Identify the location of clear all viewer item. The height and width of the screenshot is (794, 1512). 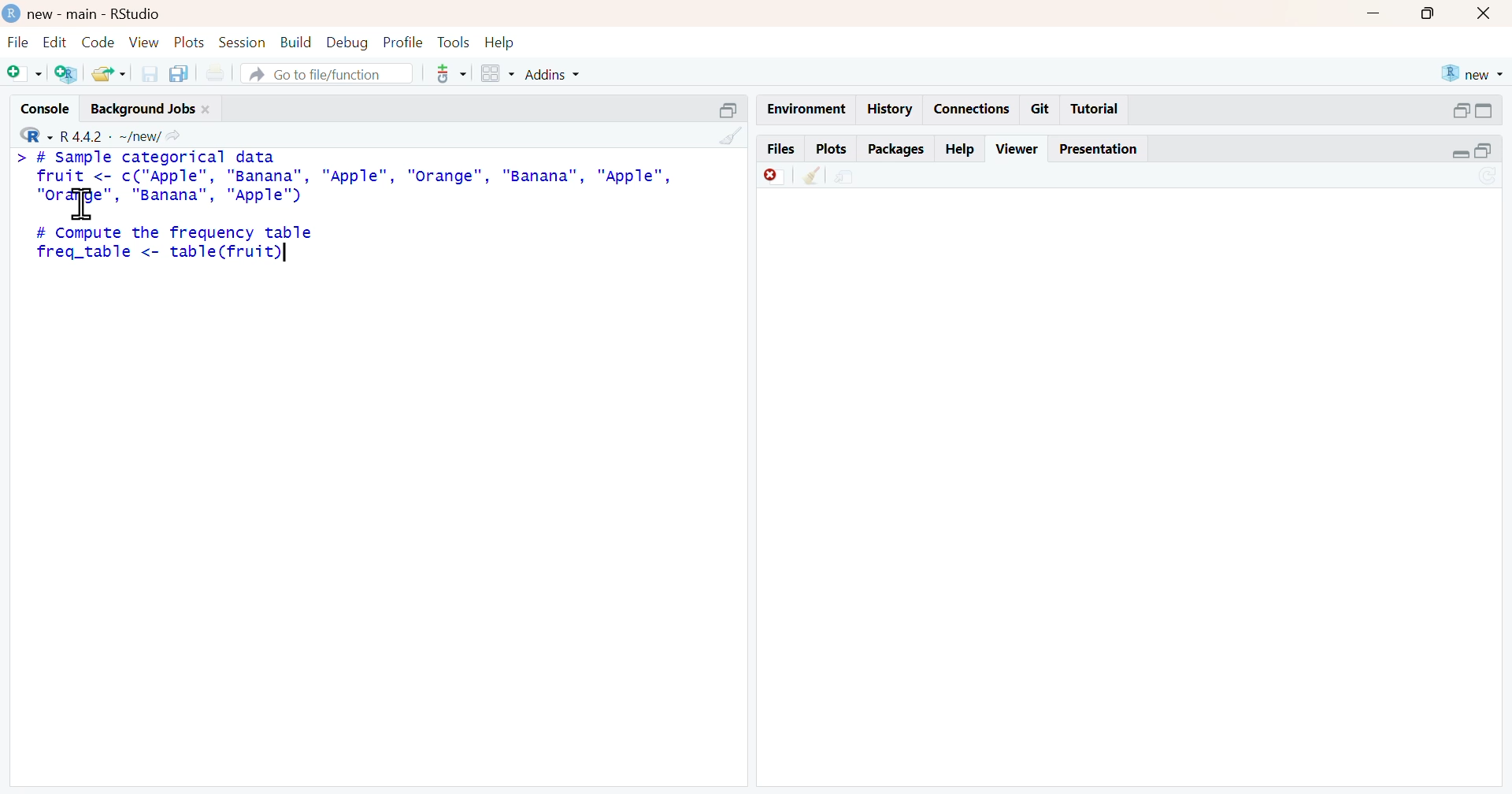
(813, 177).